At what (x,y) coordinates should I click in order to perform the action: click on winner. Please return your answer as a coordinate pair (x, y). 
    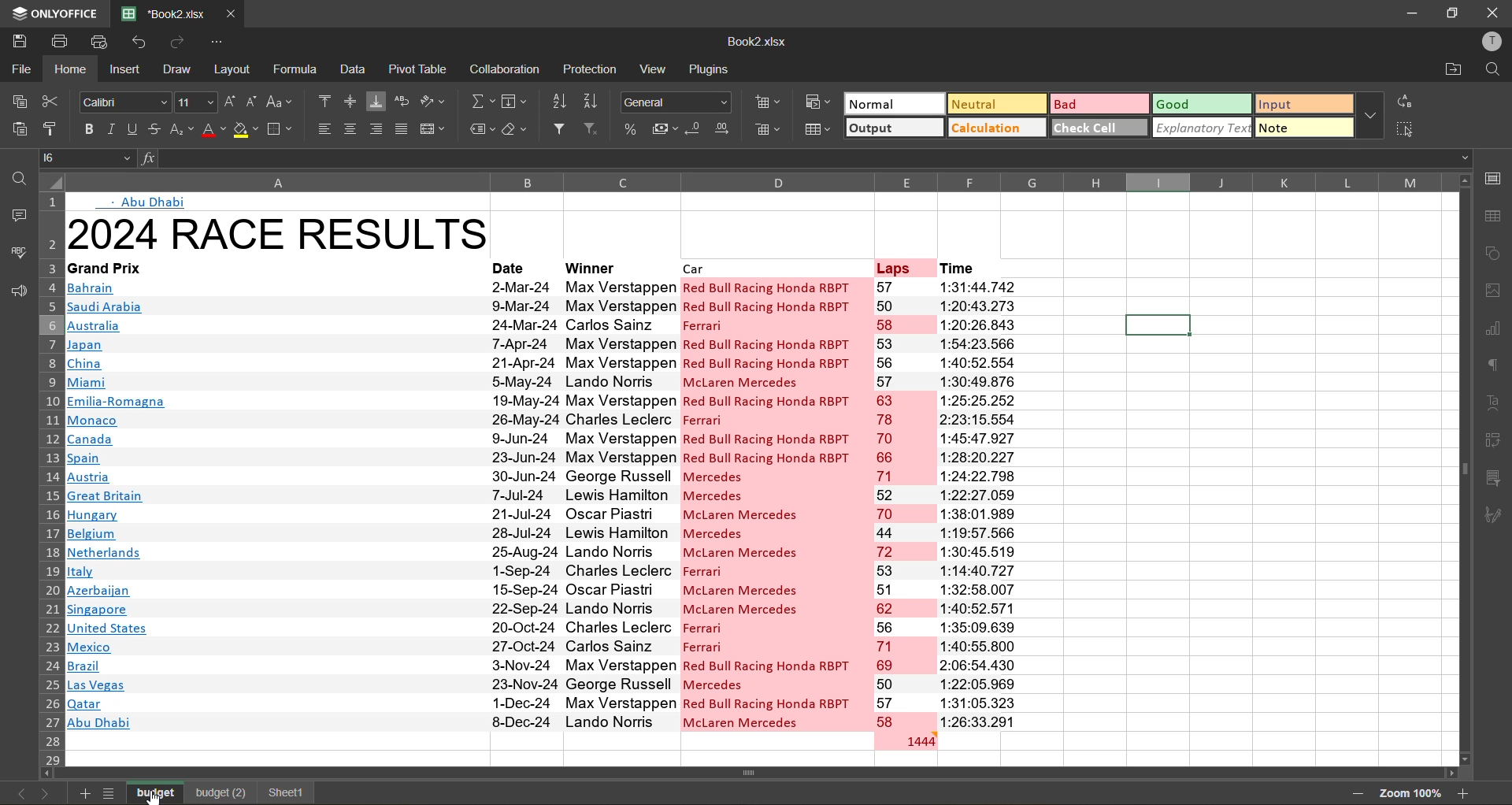
    Looking at the image, I should click on (612, 266).